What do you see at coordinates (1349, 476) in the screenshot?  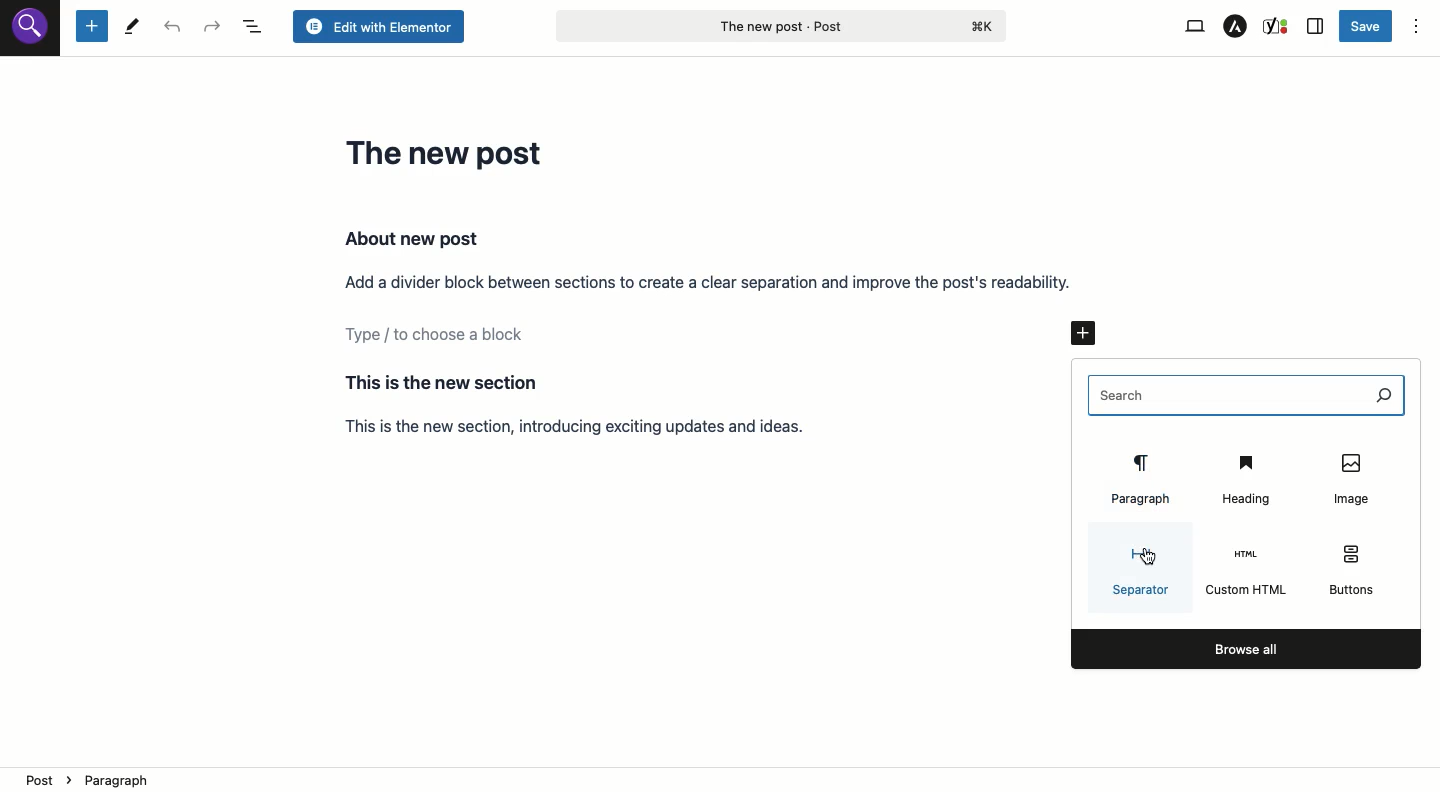 I see `Image` at bounding box center [1349, 476].